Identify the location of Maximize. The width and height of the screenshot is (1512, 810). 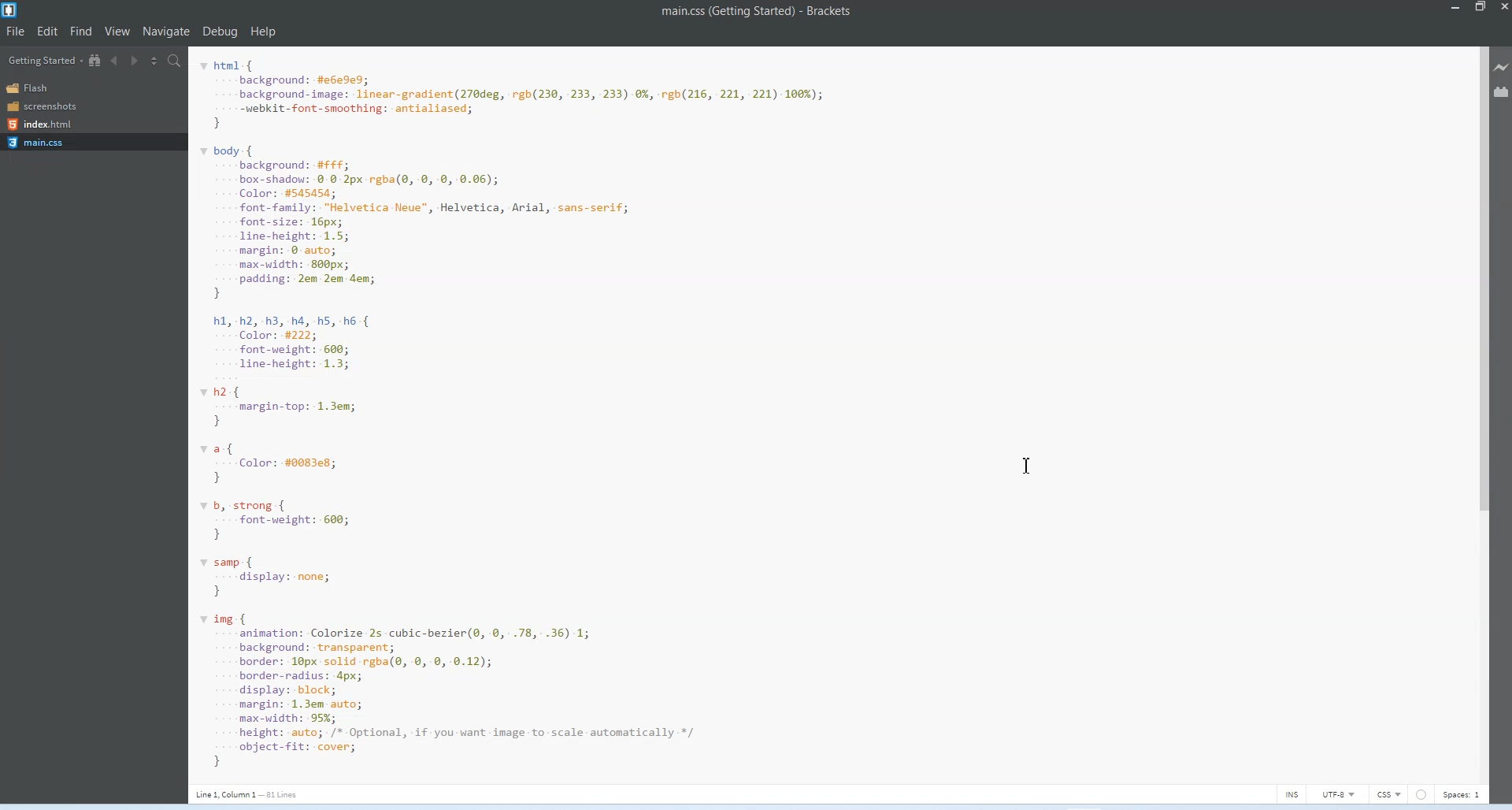
(1480, 8).